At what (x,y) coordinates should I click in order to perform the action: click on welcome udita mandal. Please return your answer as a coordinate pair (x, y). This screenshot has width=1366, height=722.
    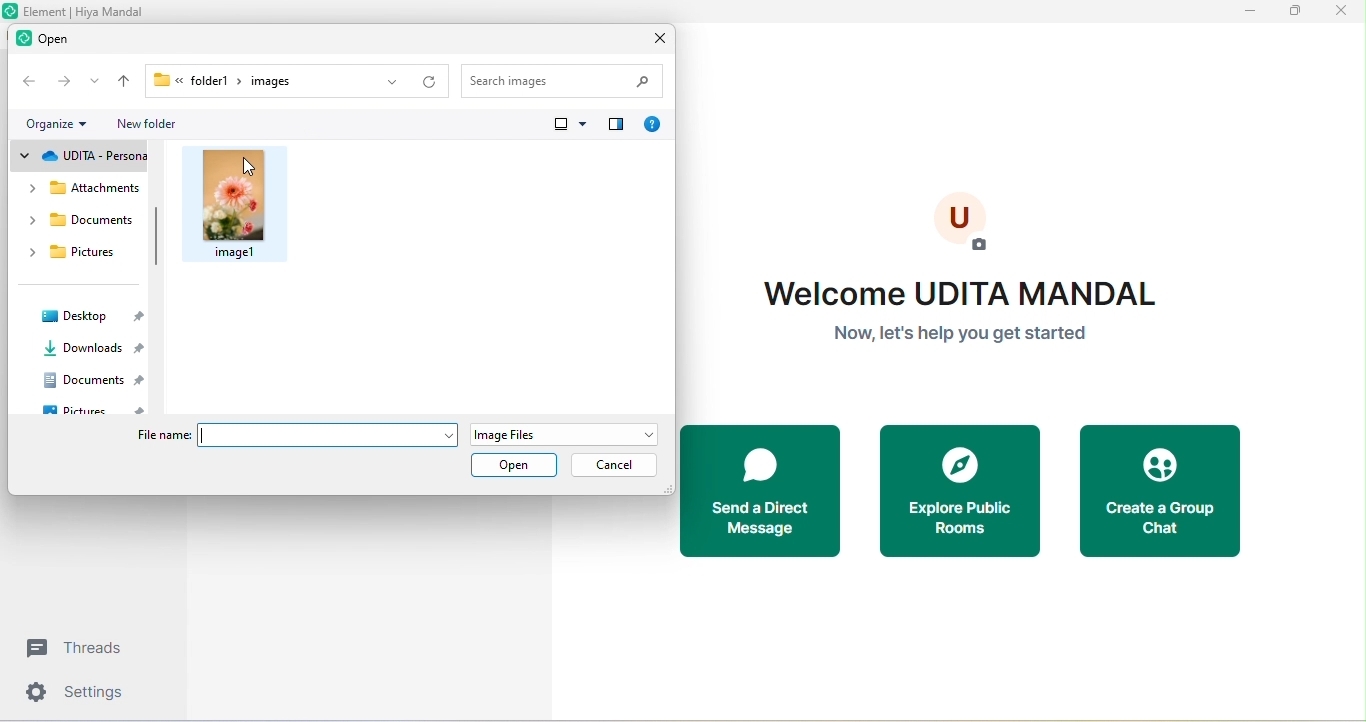
    Looking at the image, I should click on (963, 311).